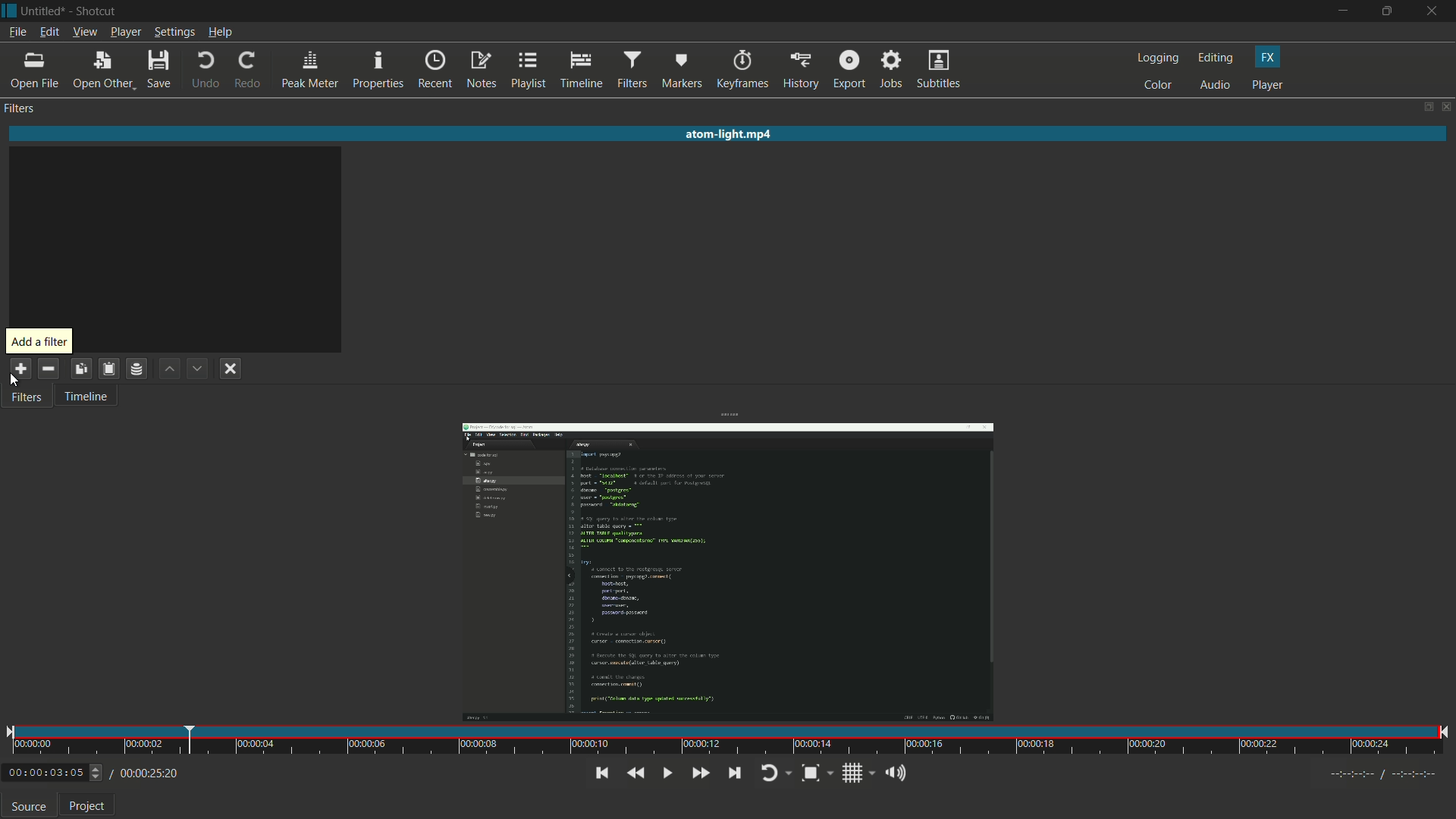  What do you see at coordinates (206, 71) in the screenshot?
I see `undo` at bounding box center [206, 71].